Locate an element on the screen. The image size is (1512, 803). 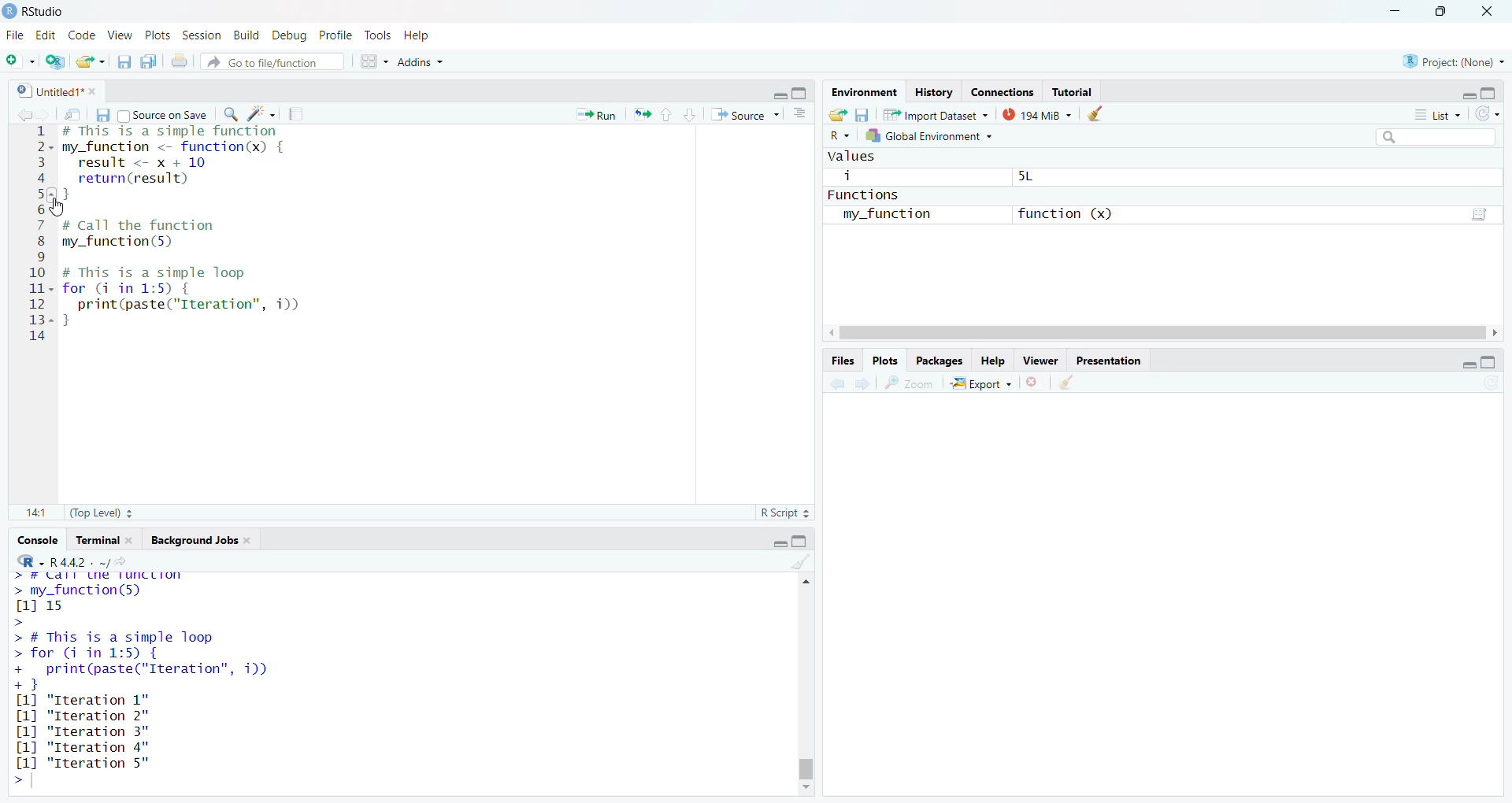
remove the current plot is located at coordinates (1034, 382).